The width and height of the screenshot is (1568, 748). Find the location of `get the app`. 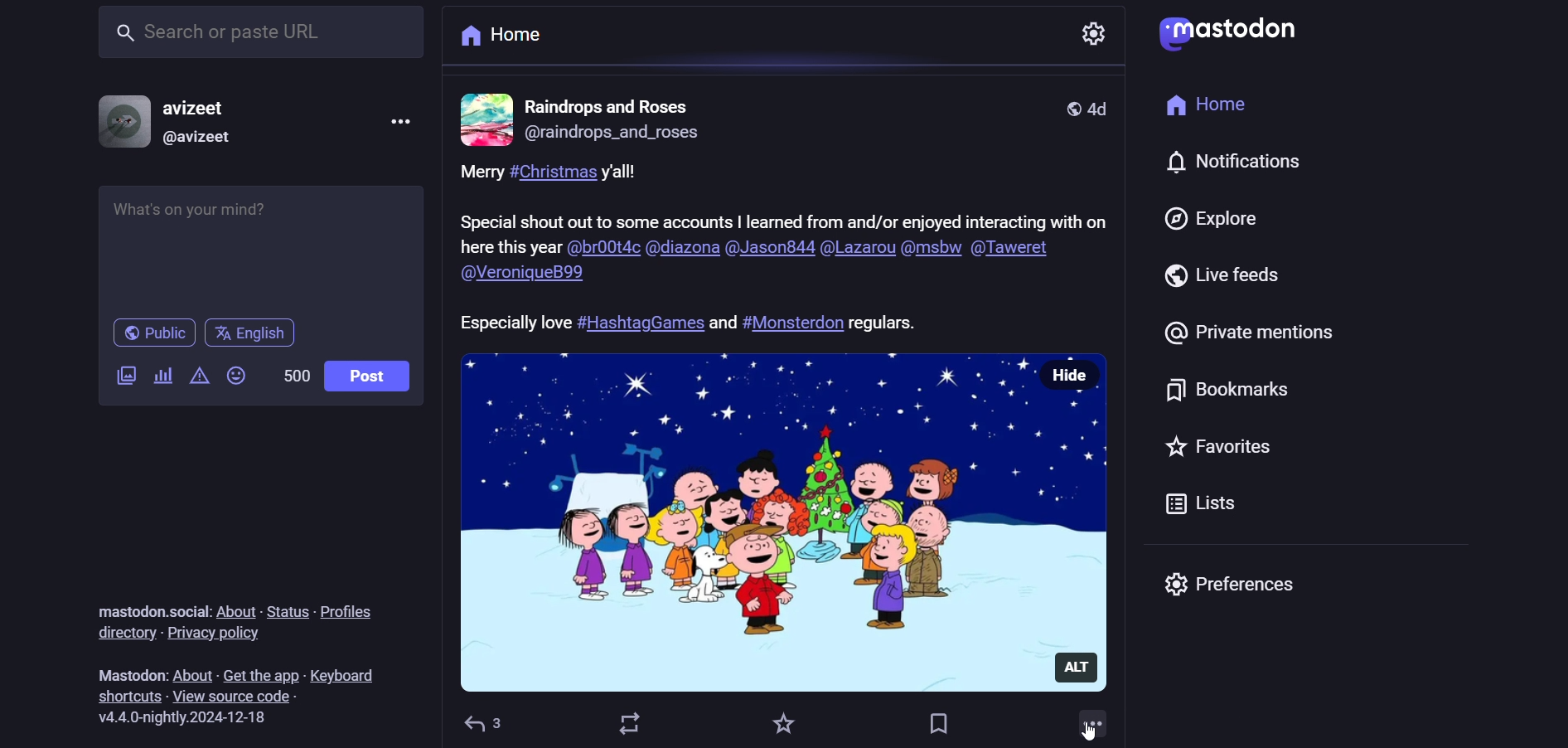

get the app is located at coordinates (259, 669).